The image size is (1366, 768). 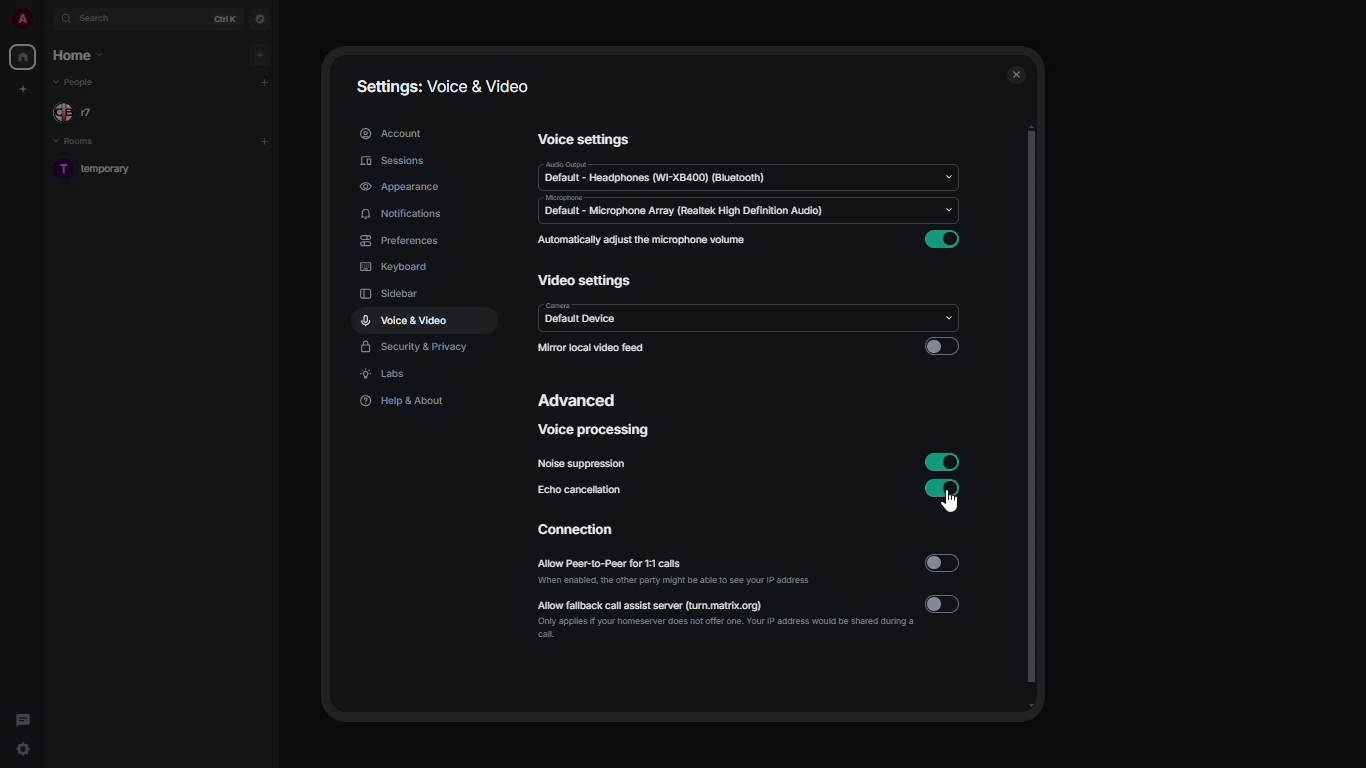 What do you see at coordinates (417, 347) in the screenshot?
I see `security & privacy` at bounding box center [417, 347].